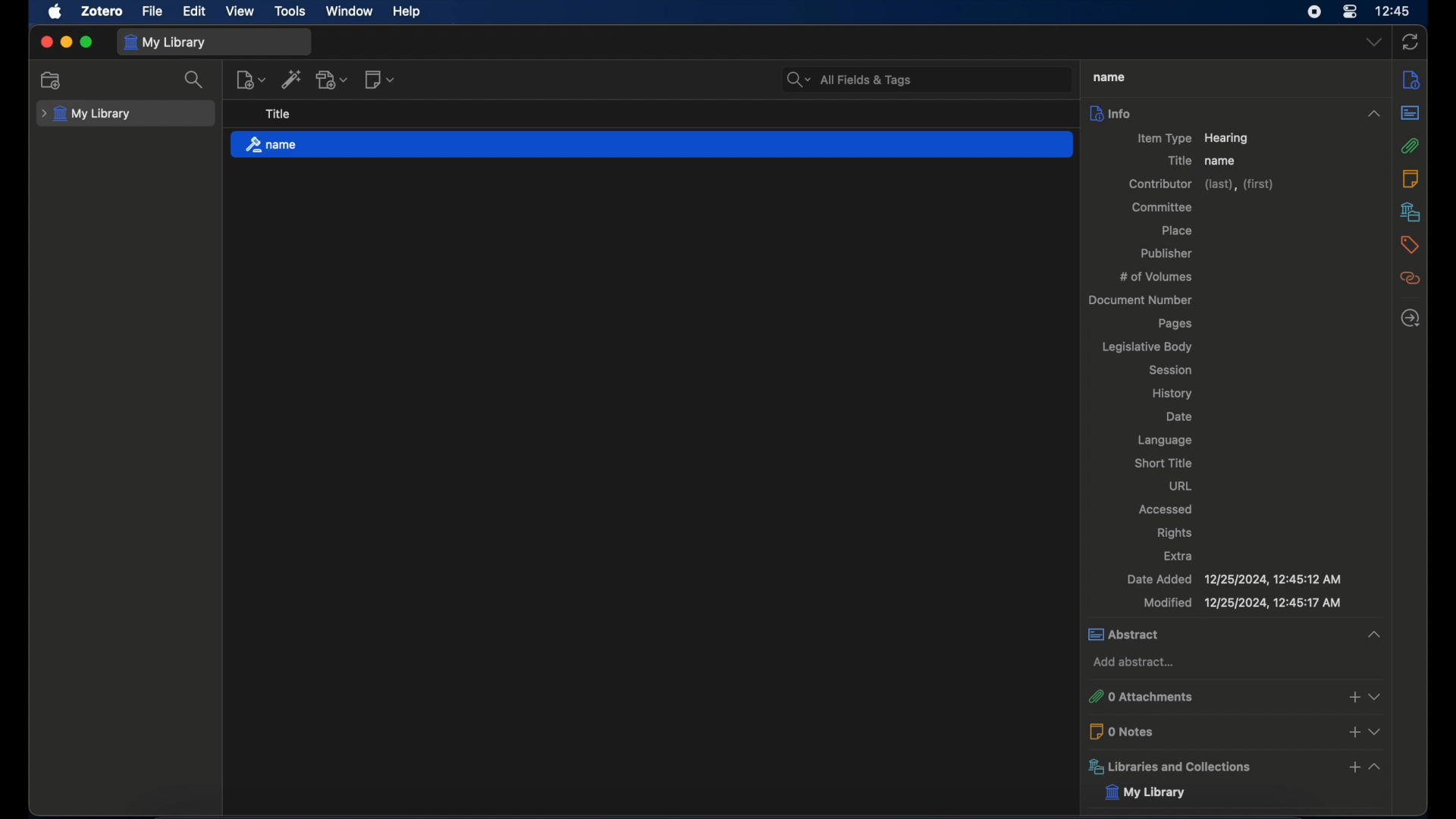 Image resolution: width=1456 pixels, height=819 pixels. I want to click on screen recorder , so click(1312, 12).